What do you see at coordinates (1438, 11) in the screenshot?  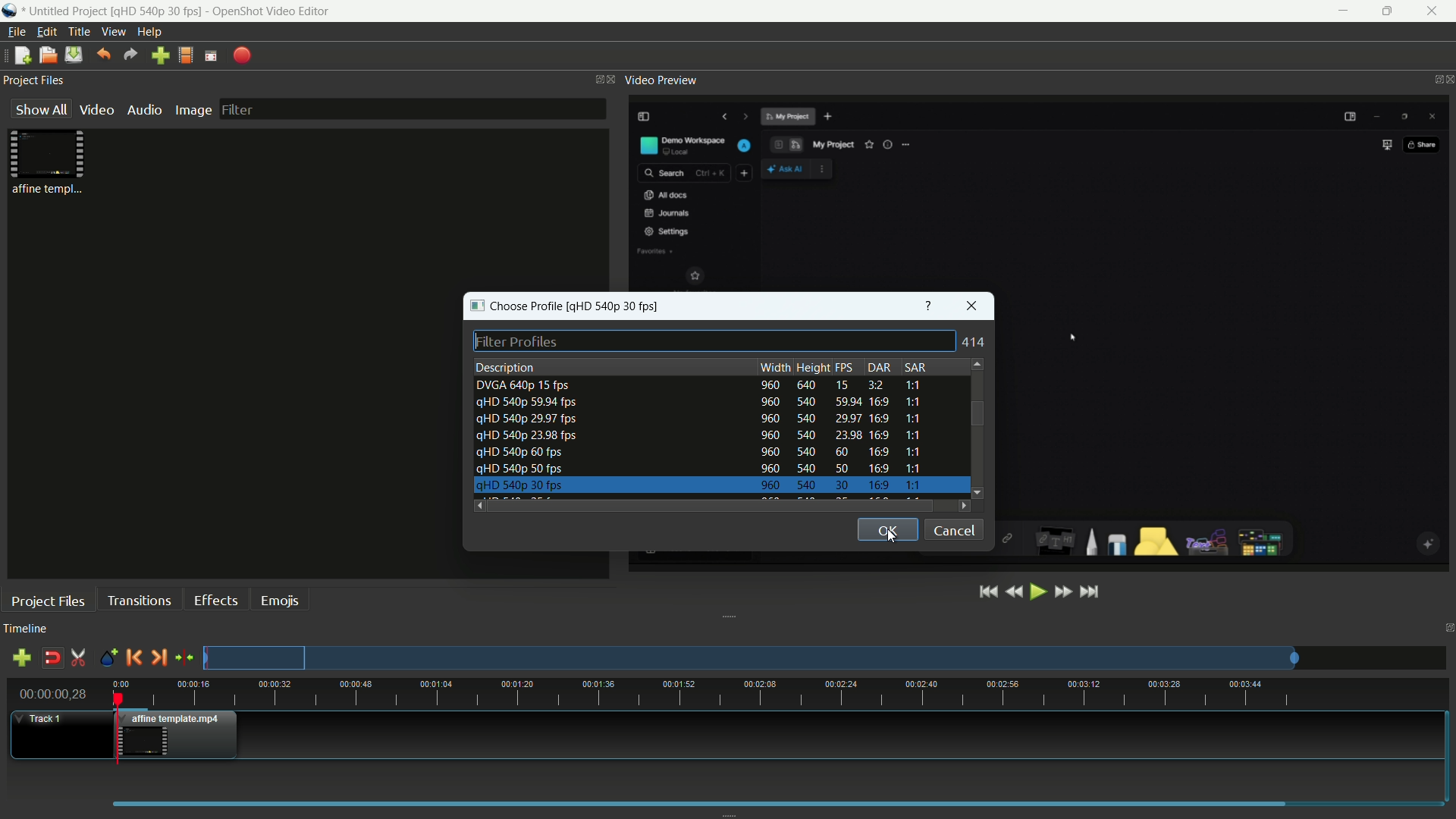 I see `close app` at bounding box center [1438, 11].